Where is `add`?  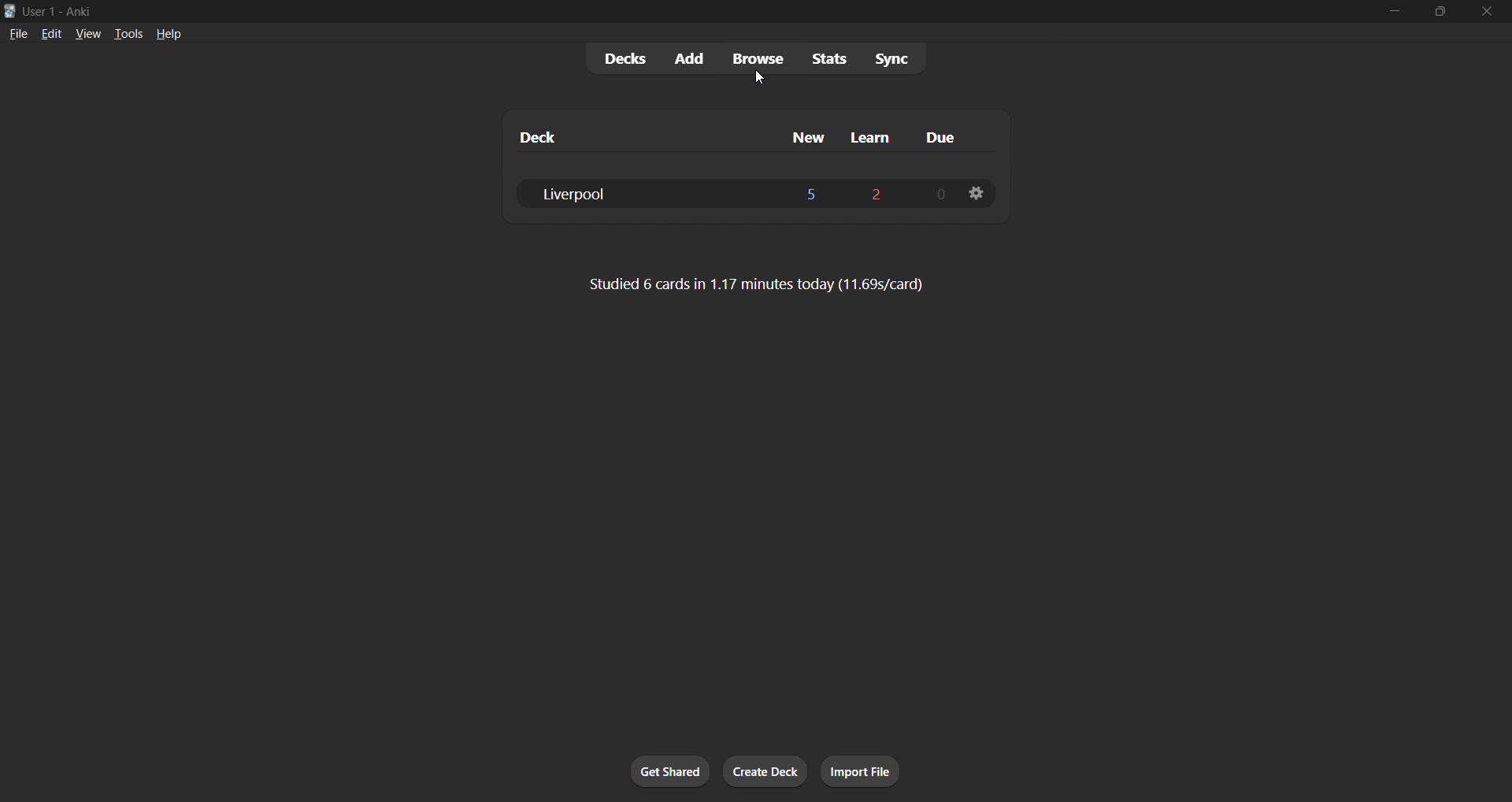
add is located at coordinates (691, 58).